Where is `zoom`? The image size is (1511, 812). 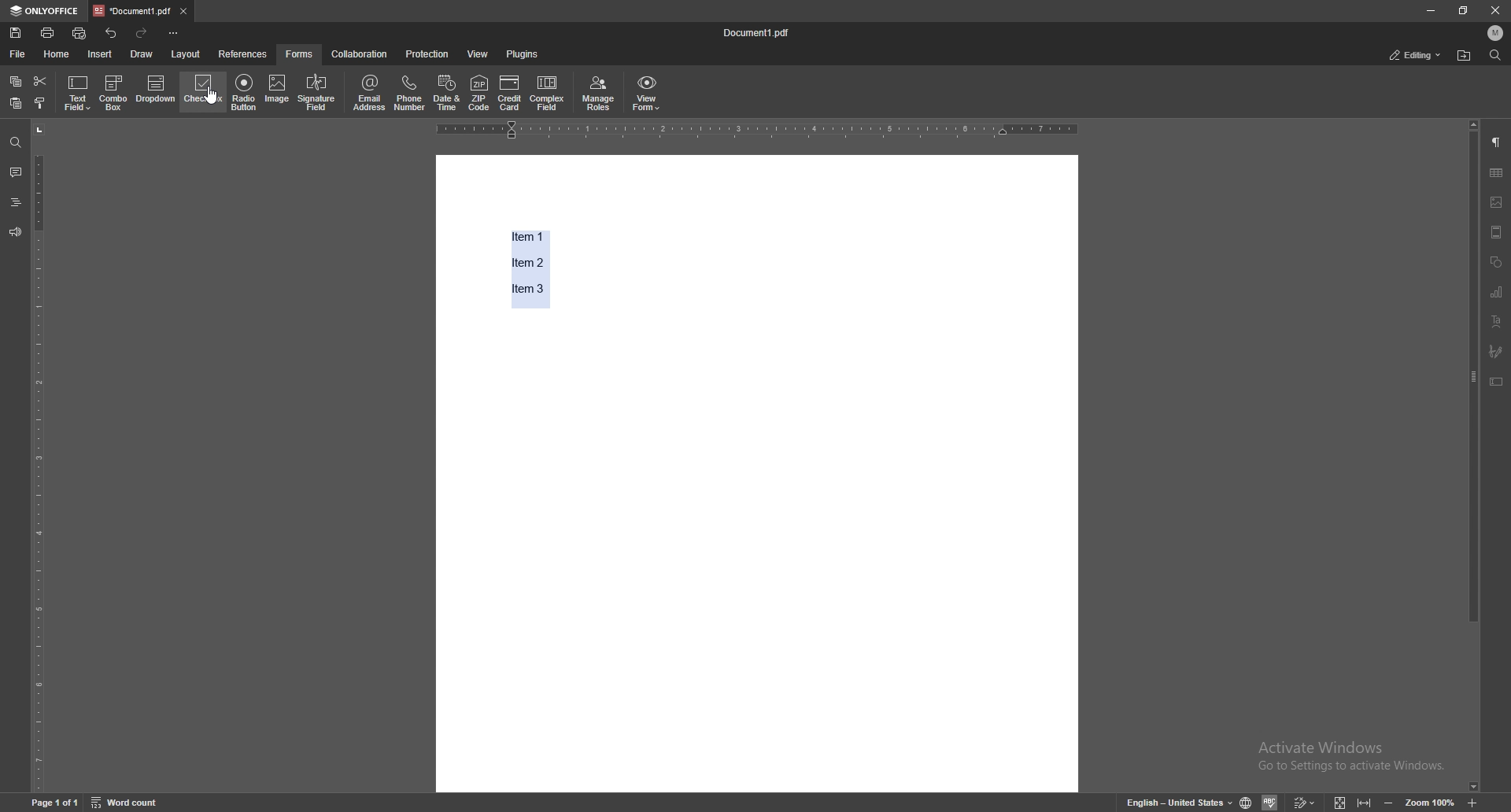 zoom is located at coordinates (1429, 801).